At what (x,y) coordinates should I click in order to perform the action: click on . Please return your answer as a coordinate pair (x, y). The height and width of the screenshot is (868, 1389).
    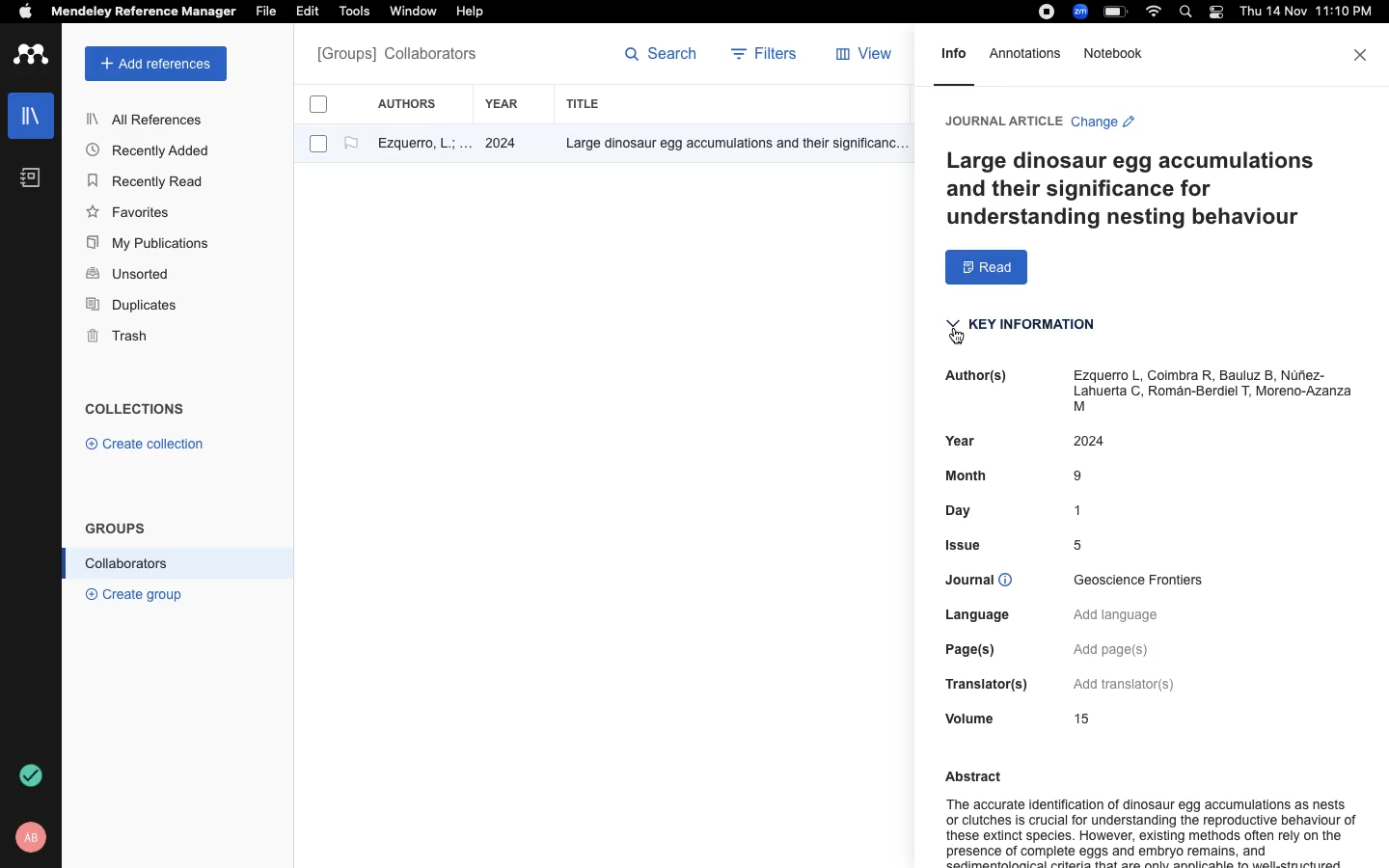
    Looking at the image, I should click on (968, 546).